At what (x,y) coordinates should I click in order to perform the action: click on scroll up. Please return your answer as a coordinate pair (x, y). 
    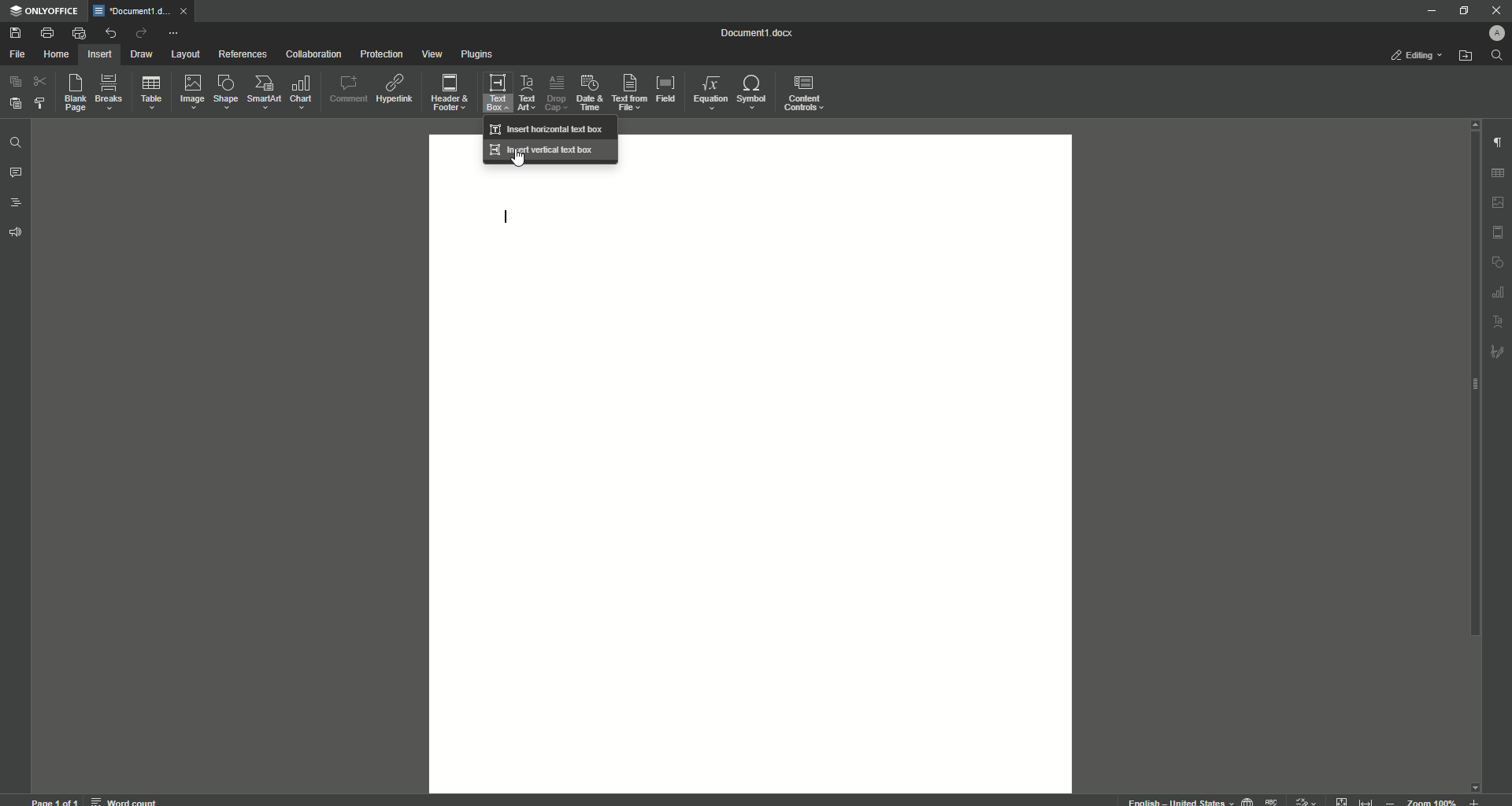
    Looking at the image, I should click on (1471, 124).